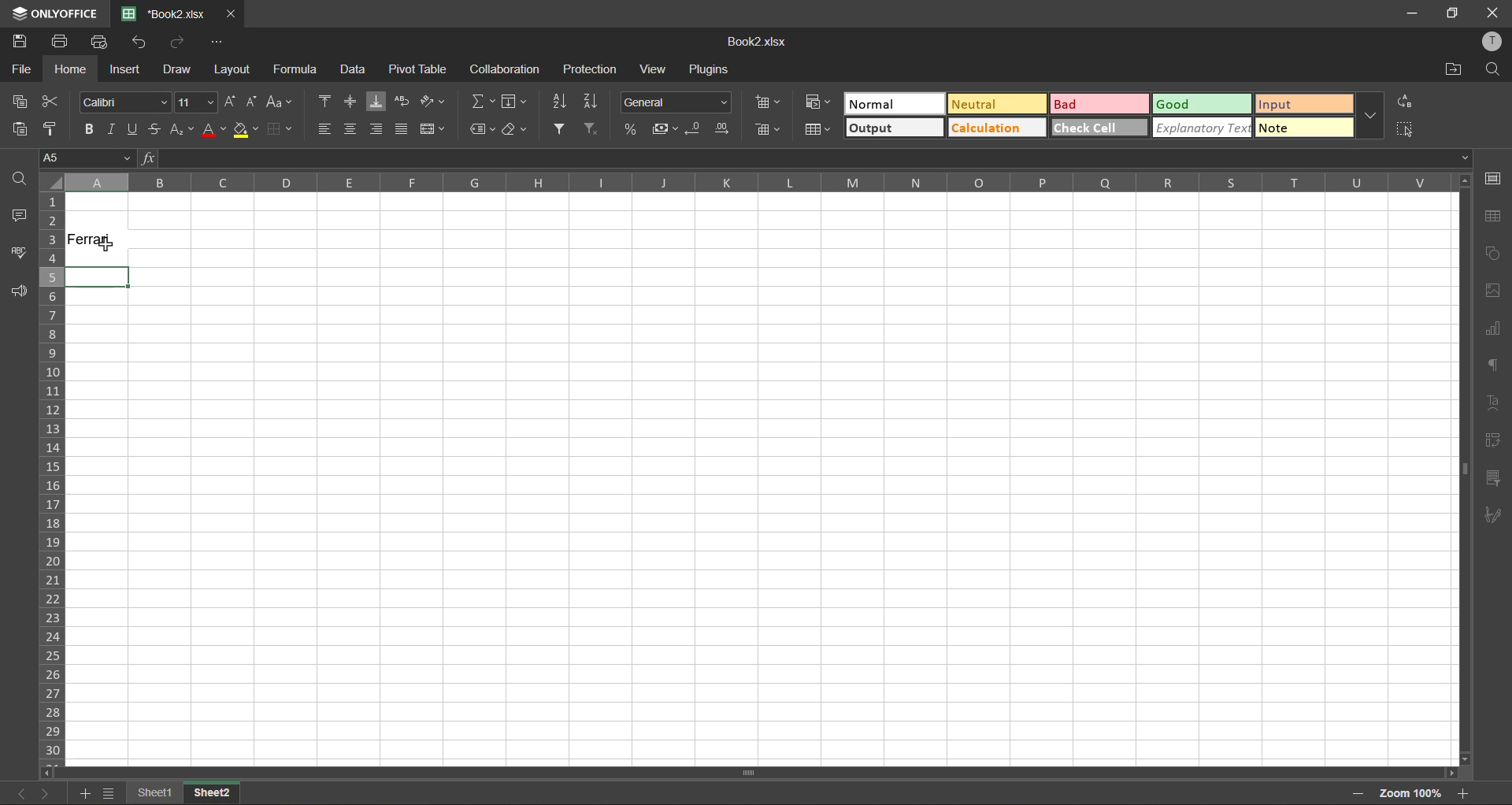 The image size is (1512, 805). What do you see at coordinates (1098, 130) in the screenshot?
I see `check cell` at bounding box center [1098, 130].